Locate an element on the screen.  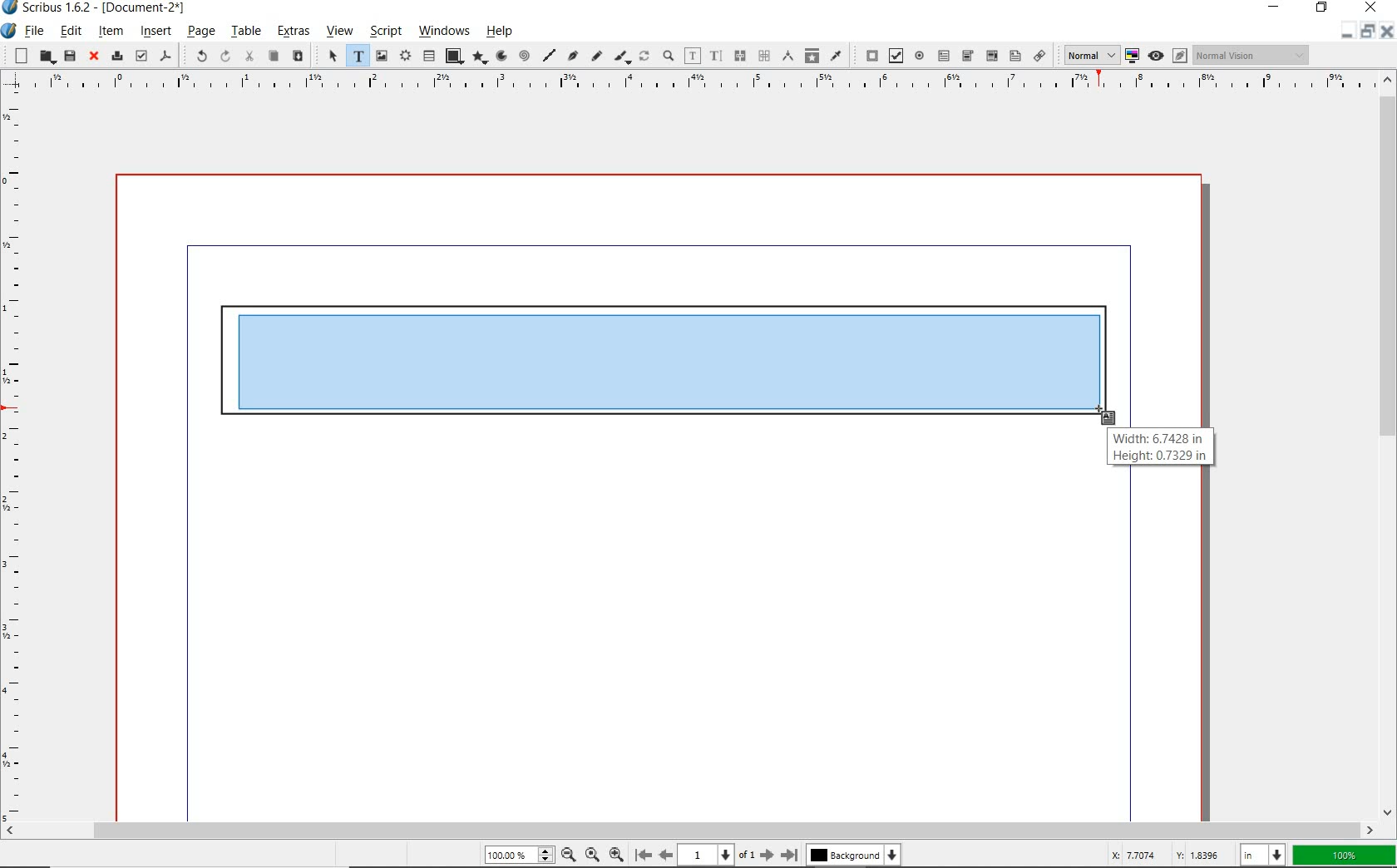
restore is located at coordinates (1368, 35).